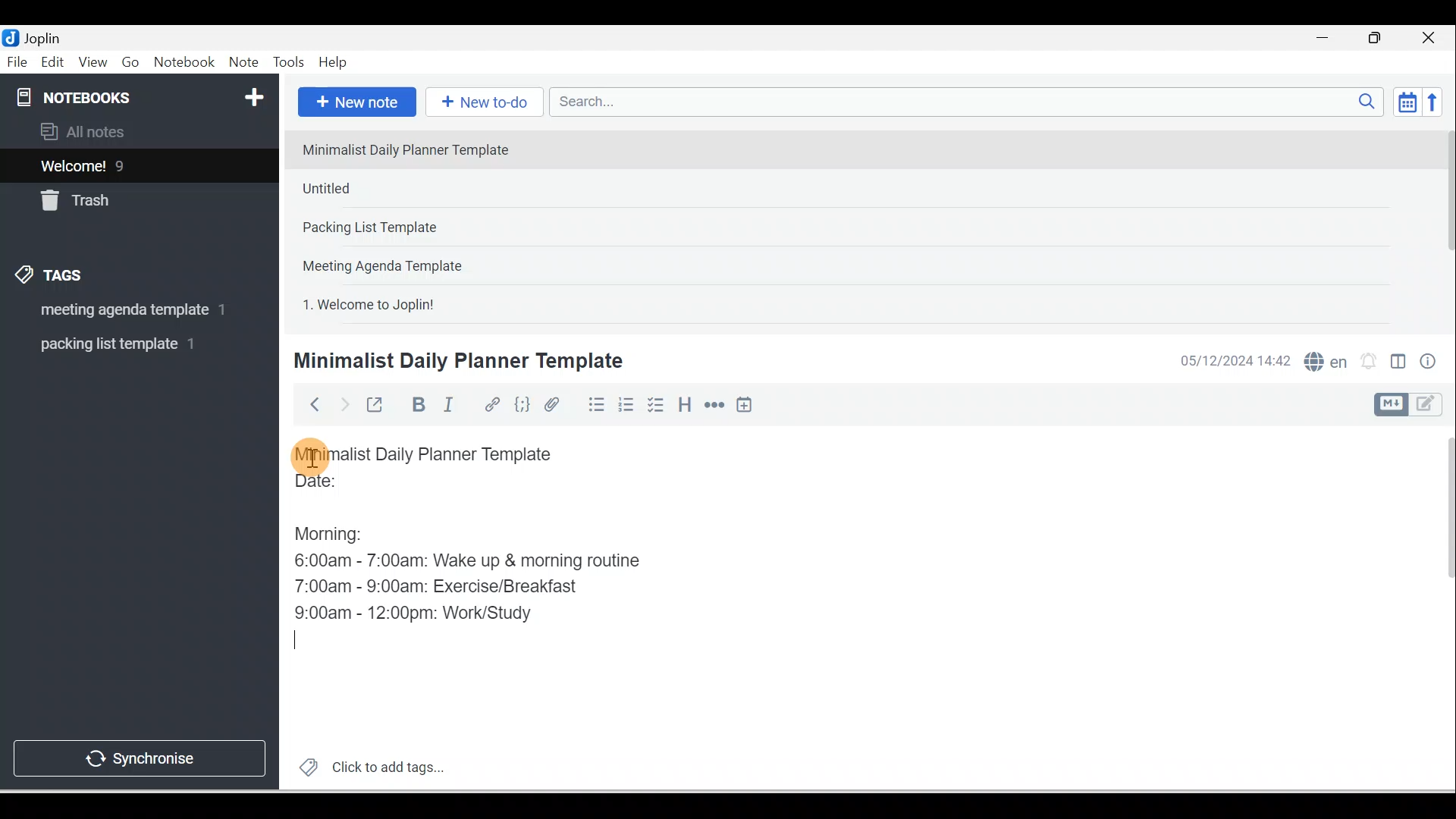  I want to click on Tag 1, so click(119, 311).